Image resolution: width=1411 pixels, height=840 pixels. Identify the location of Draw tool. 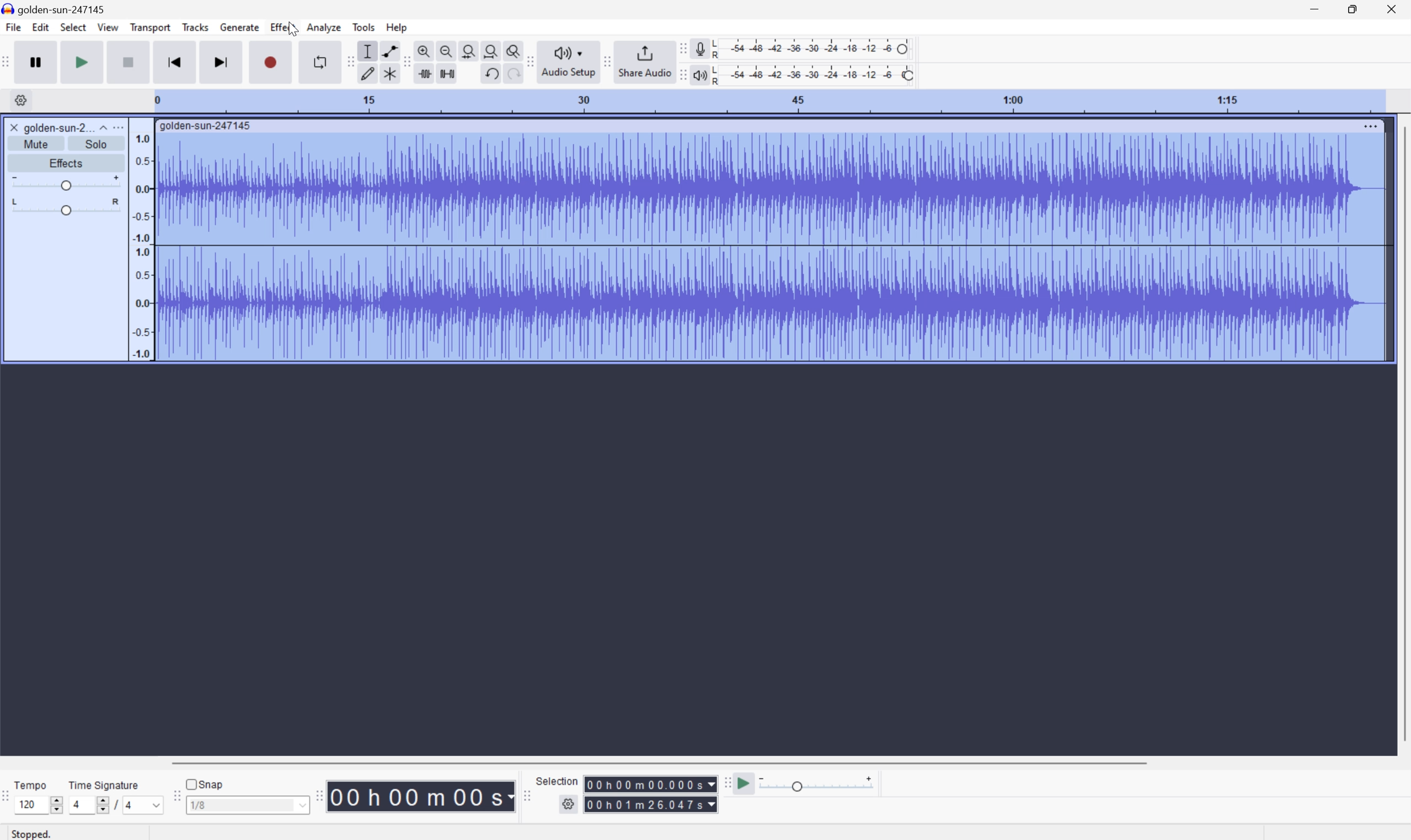
(368, 75).